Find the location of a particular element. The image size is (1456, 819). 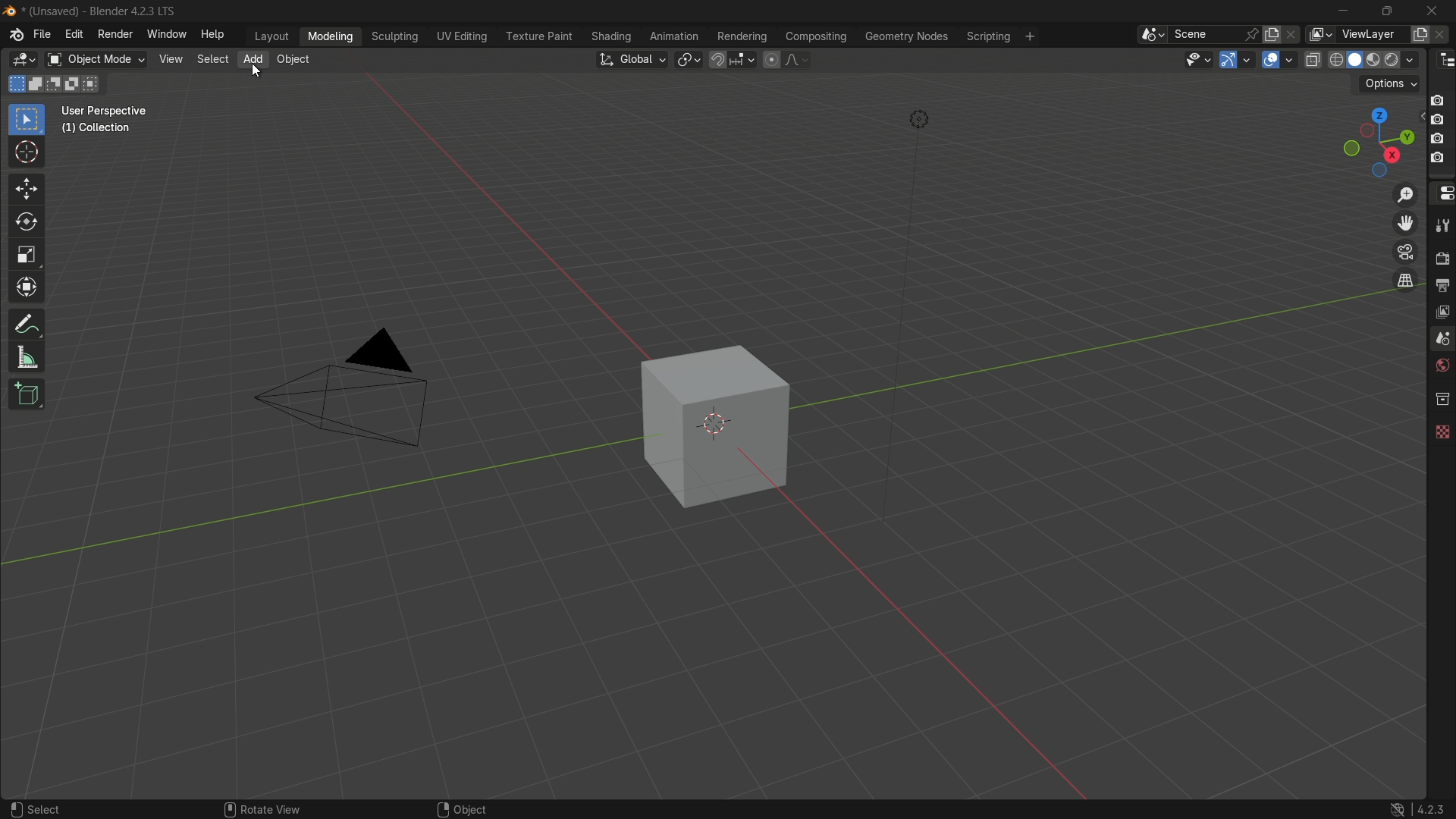

intersect existing selection is located at coordinates (96, 83).